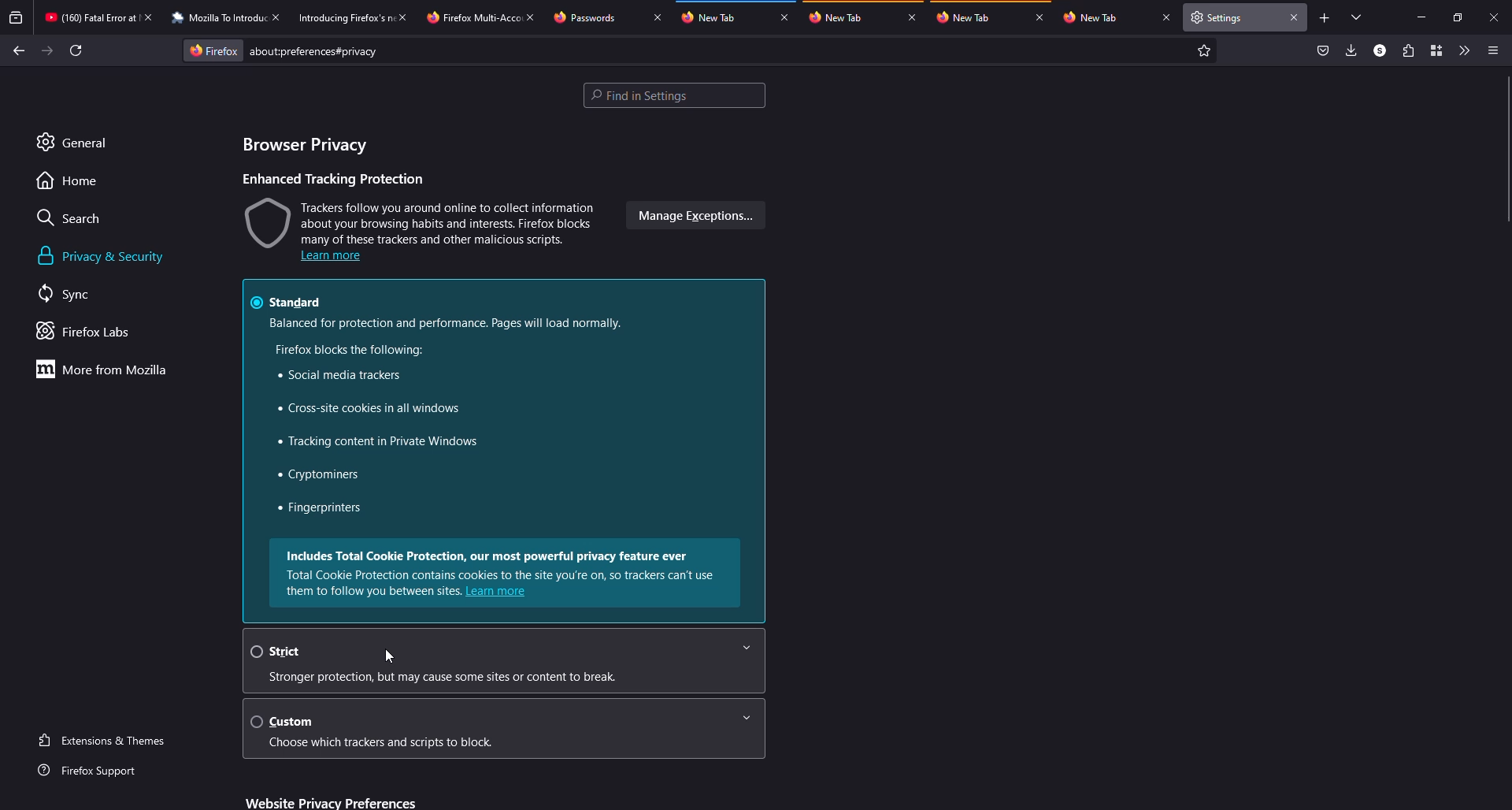 The height and width of the screenshot is (810, 1512). I want to click on close, so click(1295, 20).